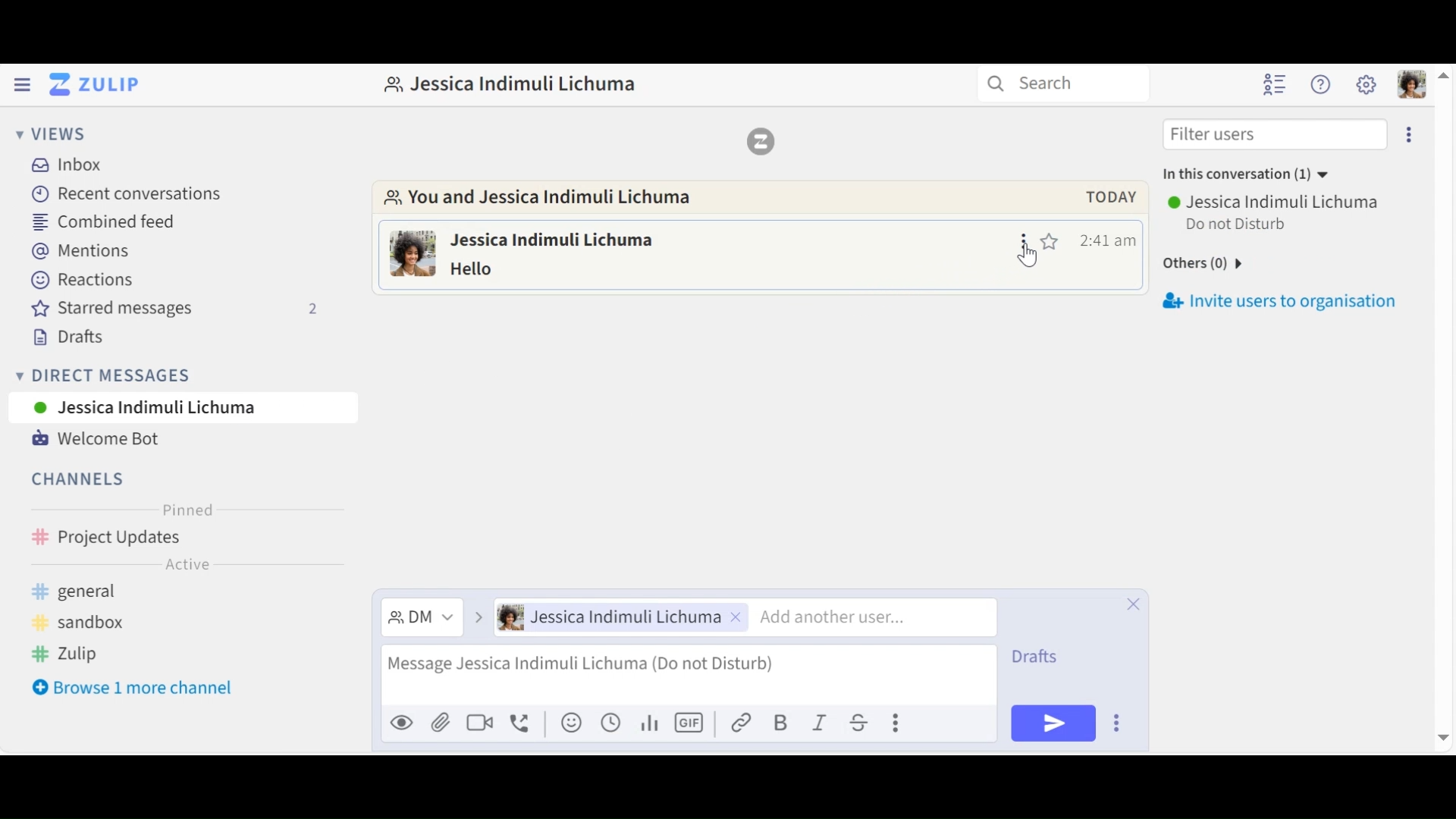  Describe the element at coordinates (622, 617) in the screenshot. I see `User` at that location.